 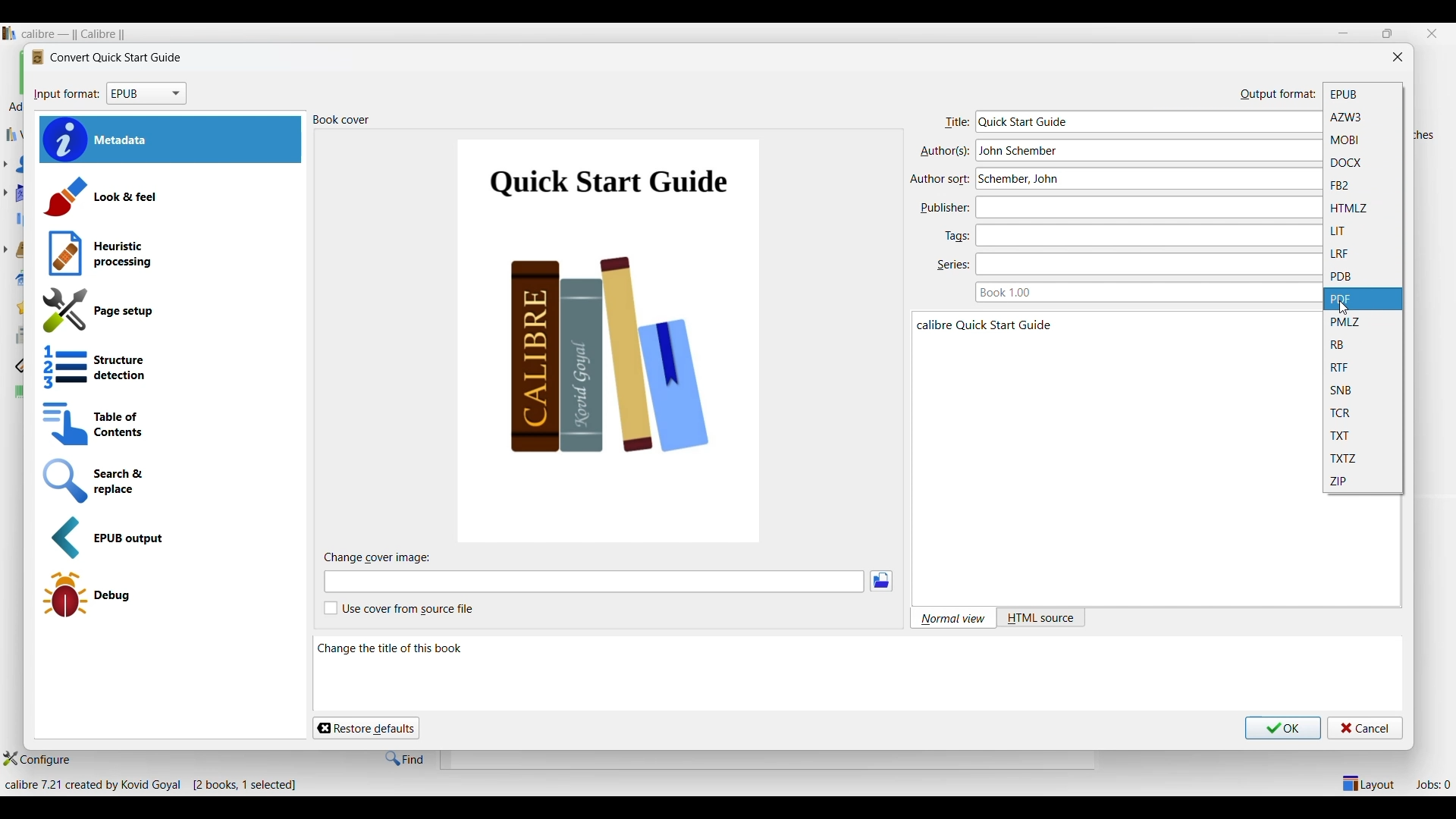 I want to click on DOCX, so click(x=1363, y=163).